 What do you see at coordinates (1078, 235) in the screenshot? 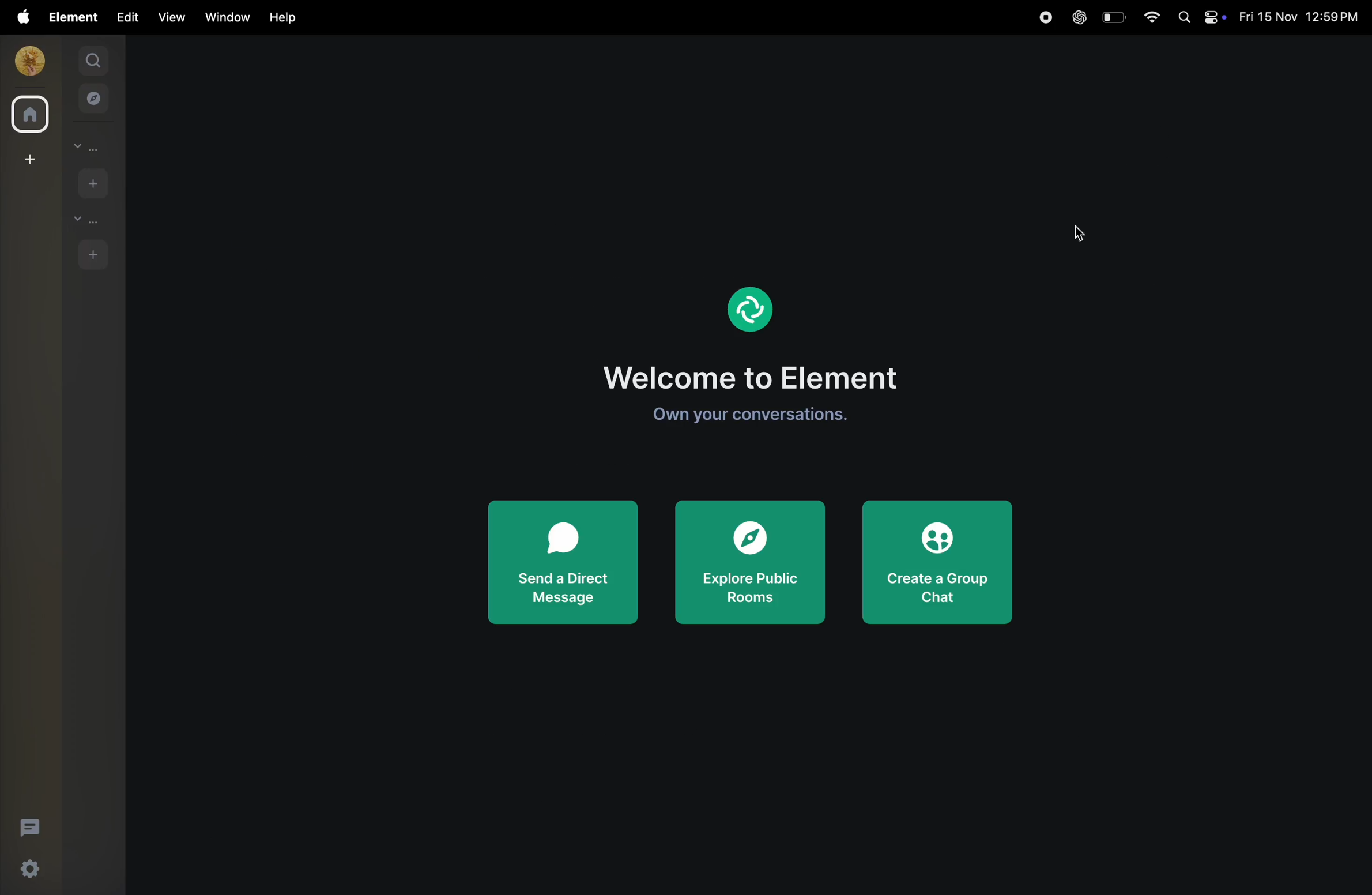
I see `cursor` at bounding box center [1078, 235].